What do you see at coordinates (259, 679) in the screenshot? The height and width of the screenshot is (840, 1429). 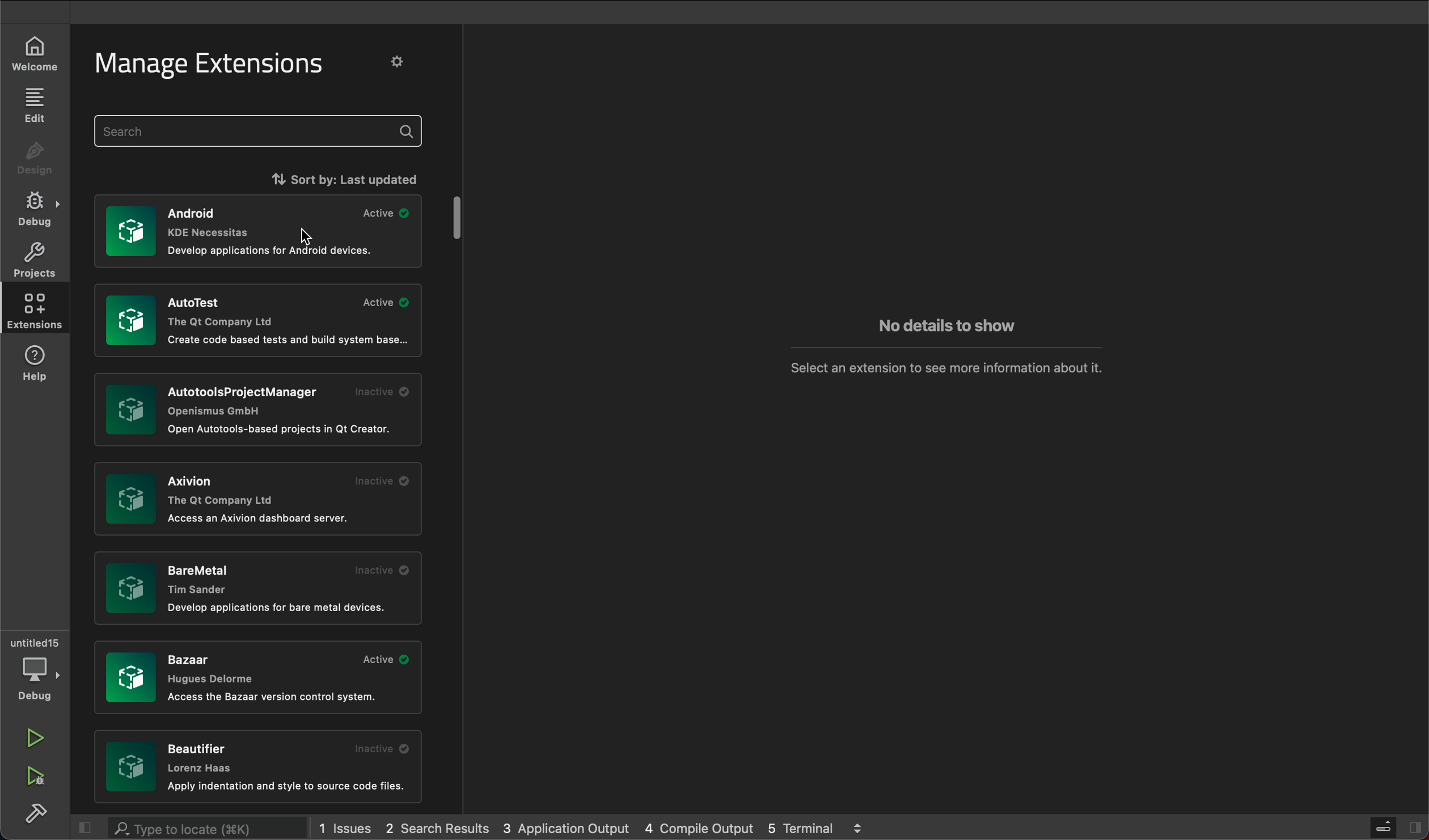 I see `extensions list` at bounding box center [259, 679].